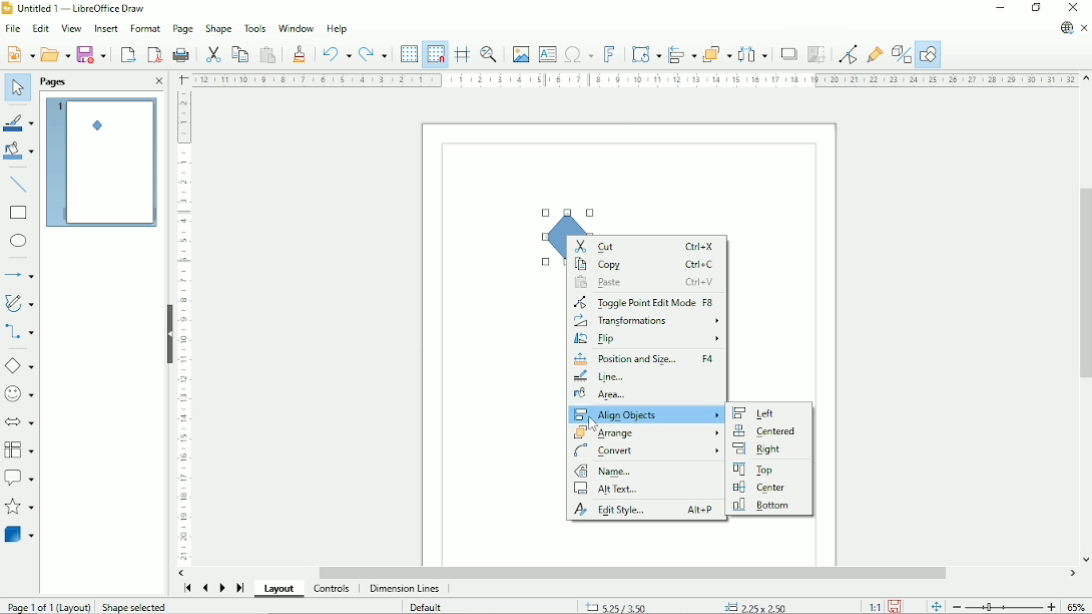 This screenshot has width=1092, height=614. Describe the element at coordinates (688, 606) in the screenshot. I see `Cursor position` at that location.